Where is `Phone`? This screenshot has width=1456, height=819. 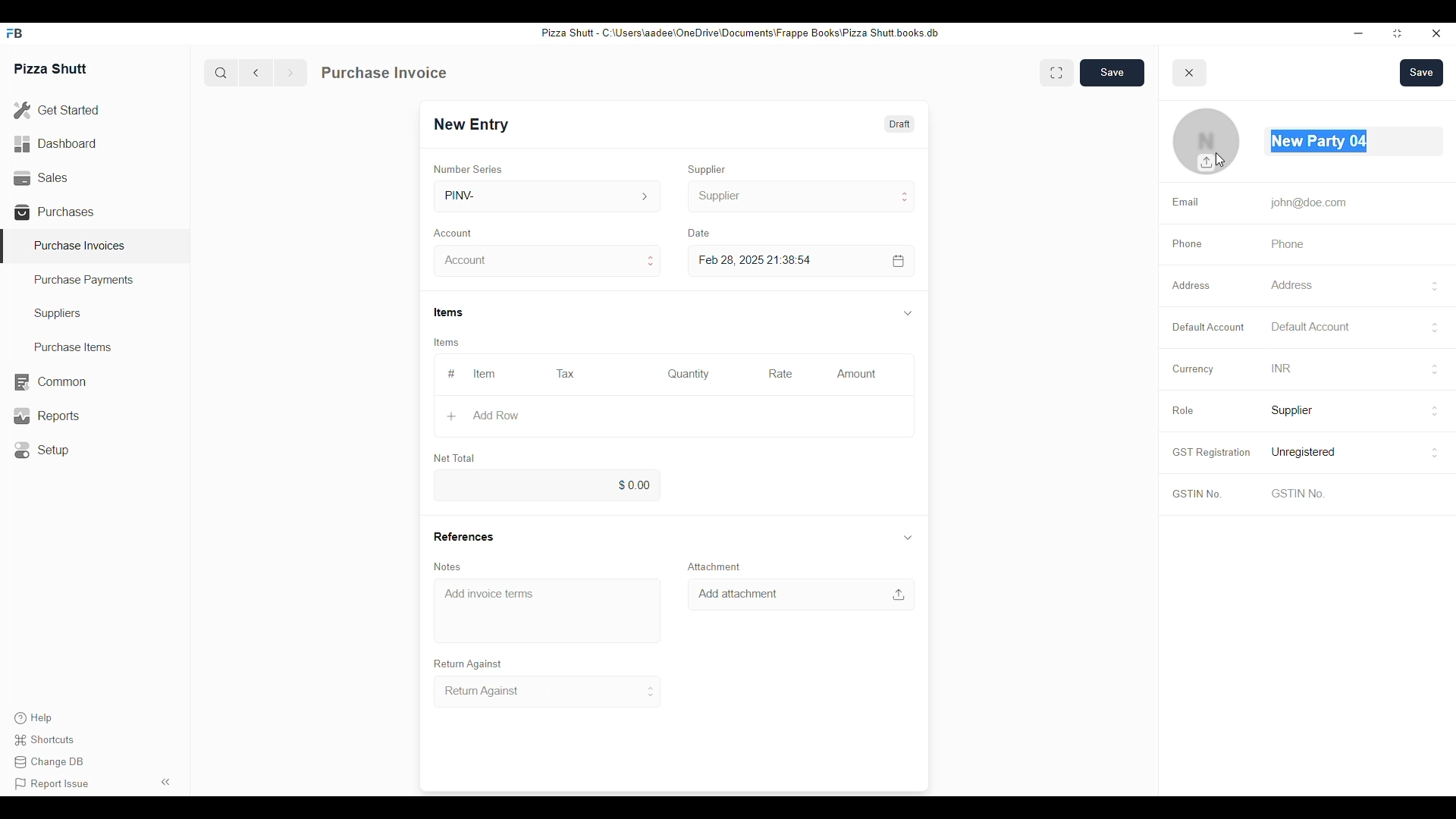 Phone is located at coordinates (1187, 244).